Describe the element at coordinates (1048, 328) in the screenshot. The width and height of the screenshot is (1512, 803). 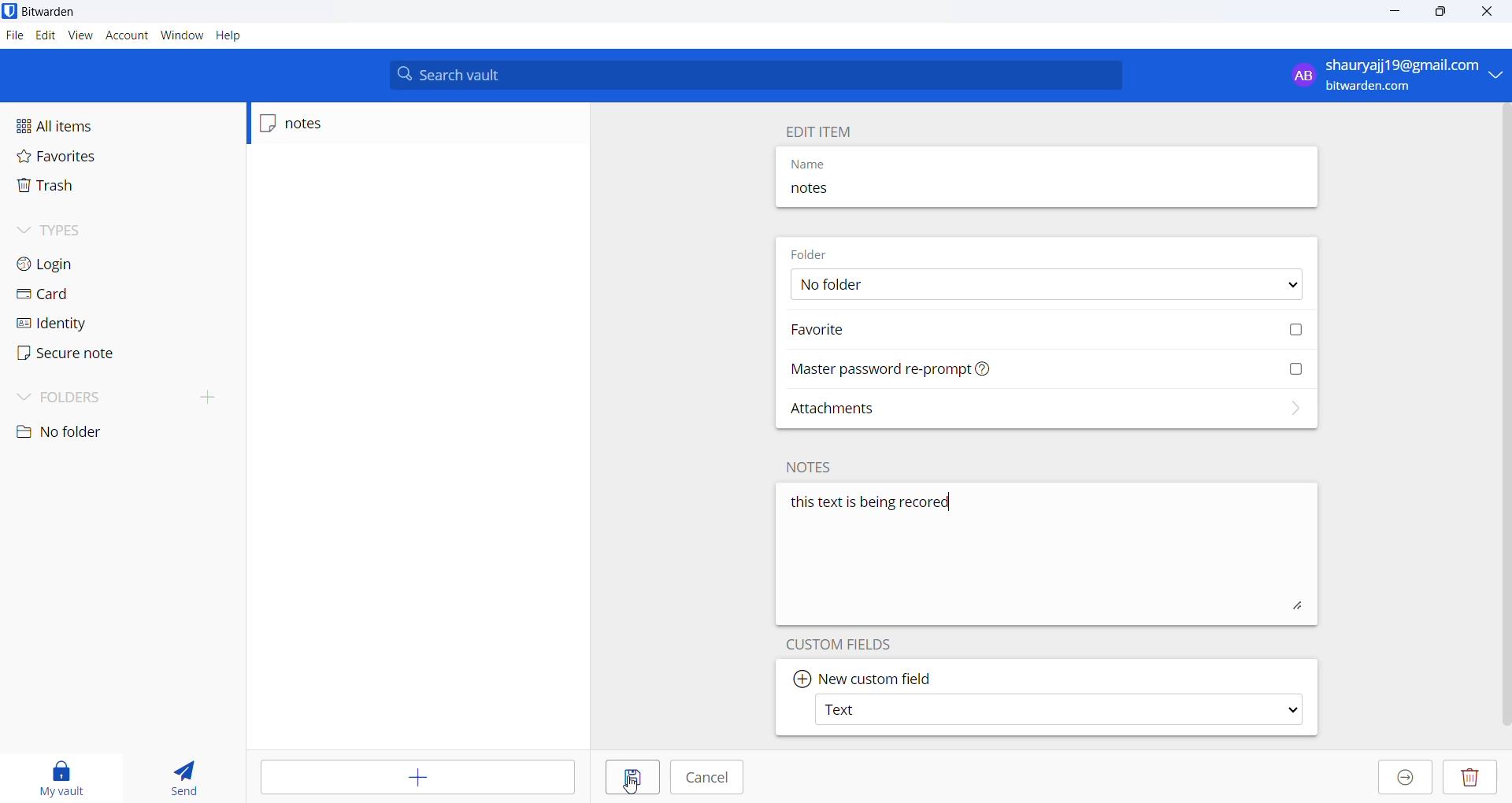
I see `favorite` at that location.